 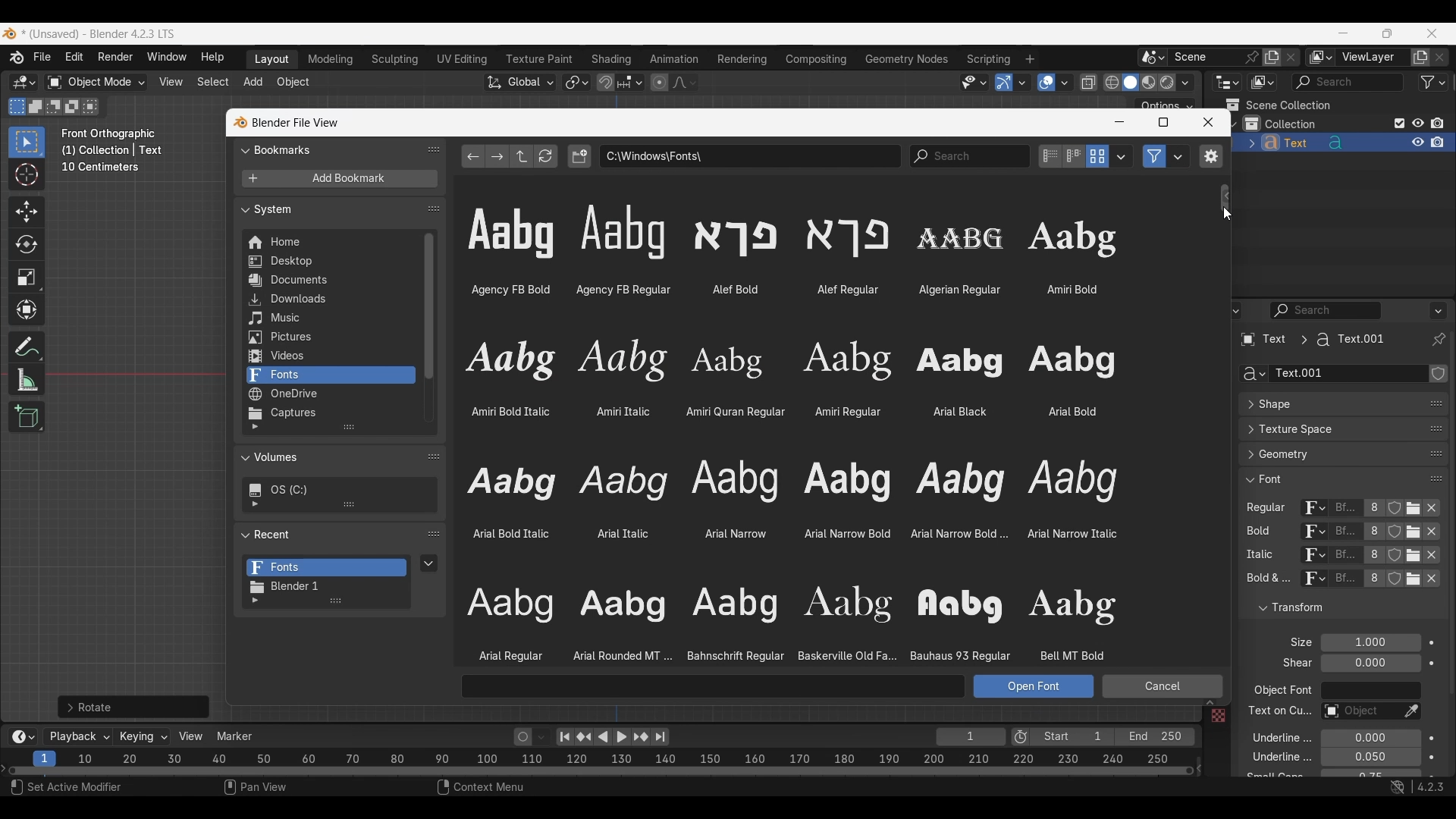 I want to click on Videos folder, so click(x=330, y=356).